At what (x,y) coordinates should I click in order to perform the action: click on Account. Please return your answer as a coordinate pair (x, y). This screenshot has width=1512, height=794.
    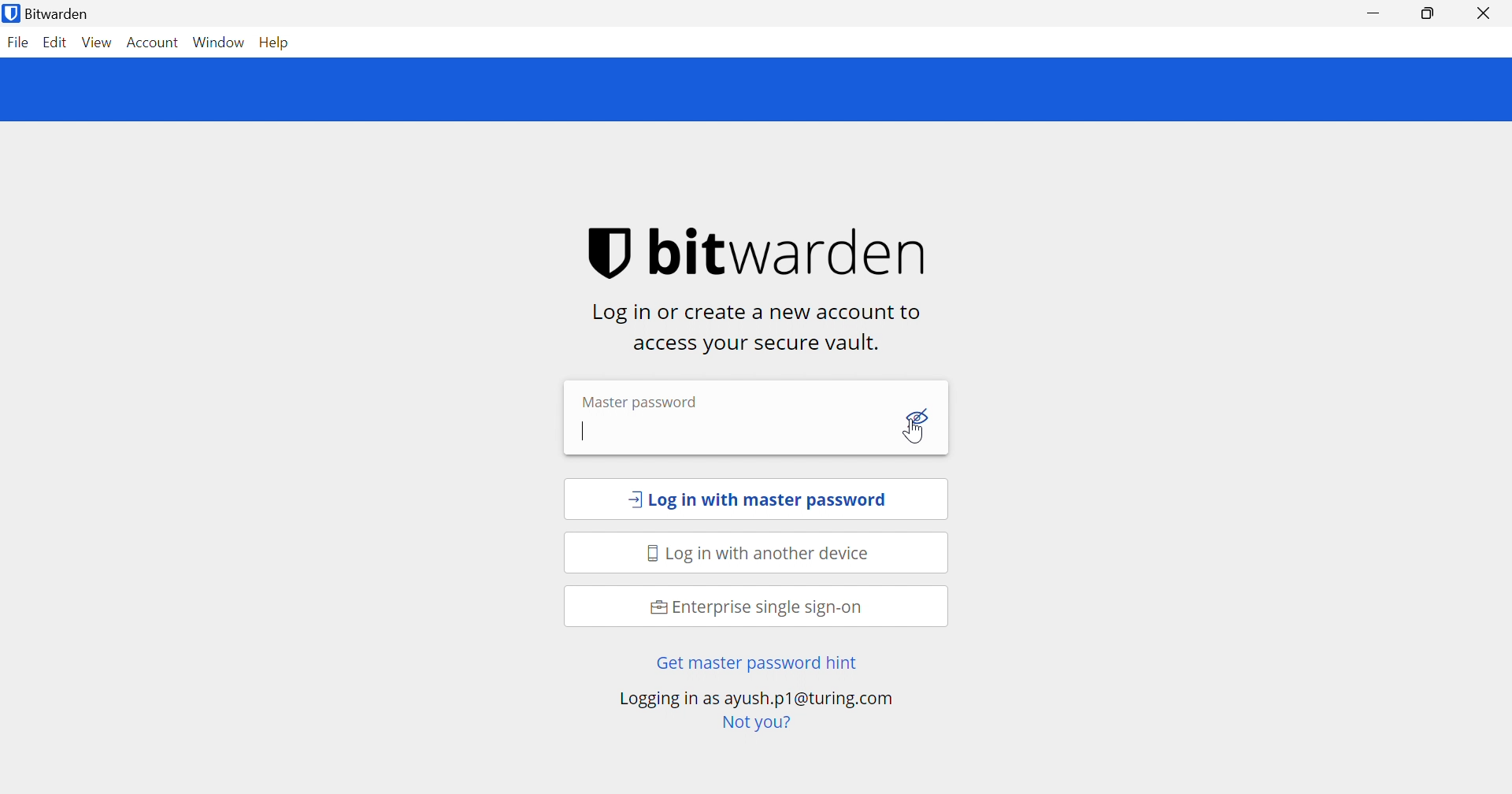
    Looking at the image, I should click on (152, 42).